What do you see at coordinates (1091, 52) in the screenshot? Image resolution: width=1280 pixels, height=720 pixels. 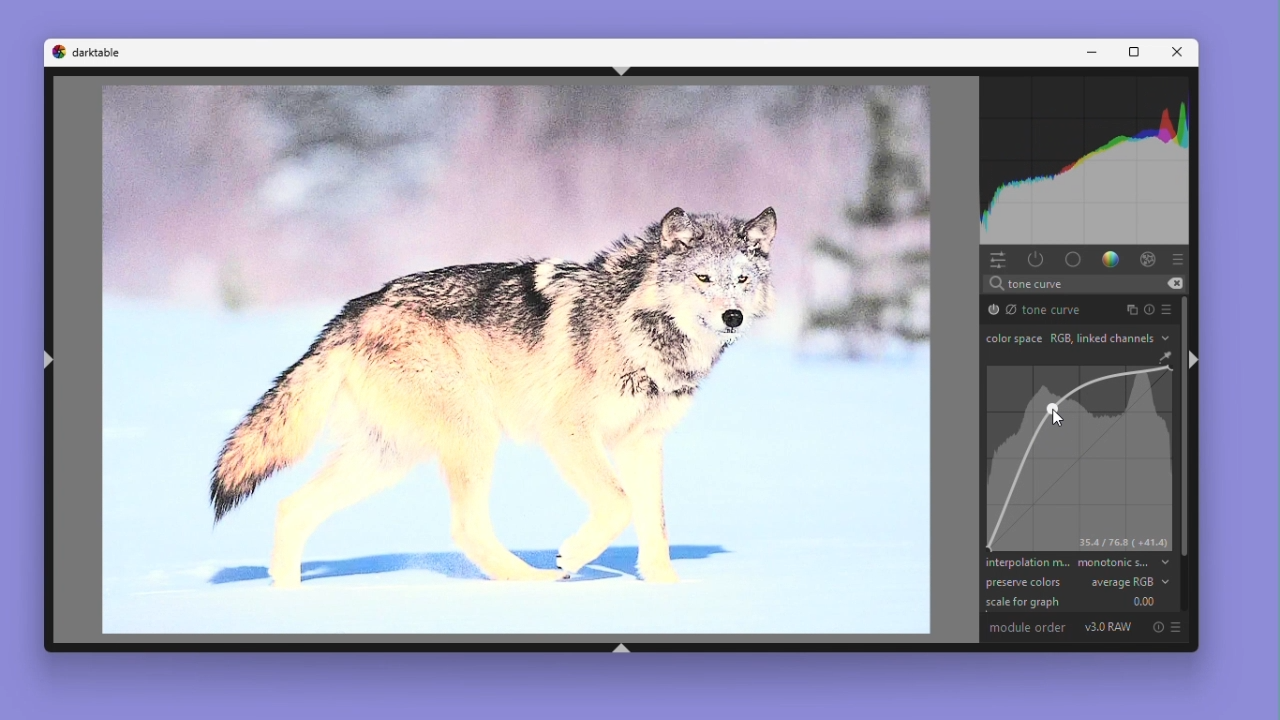 I see `Minimise` at bounding box center [1091, 52].